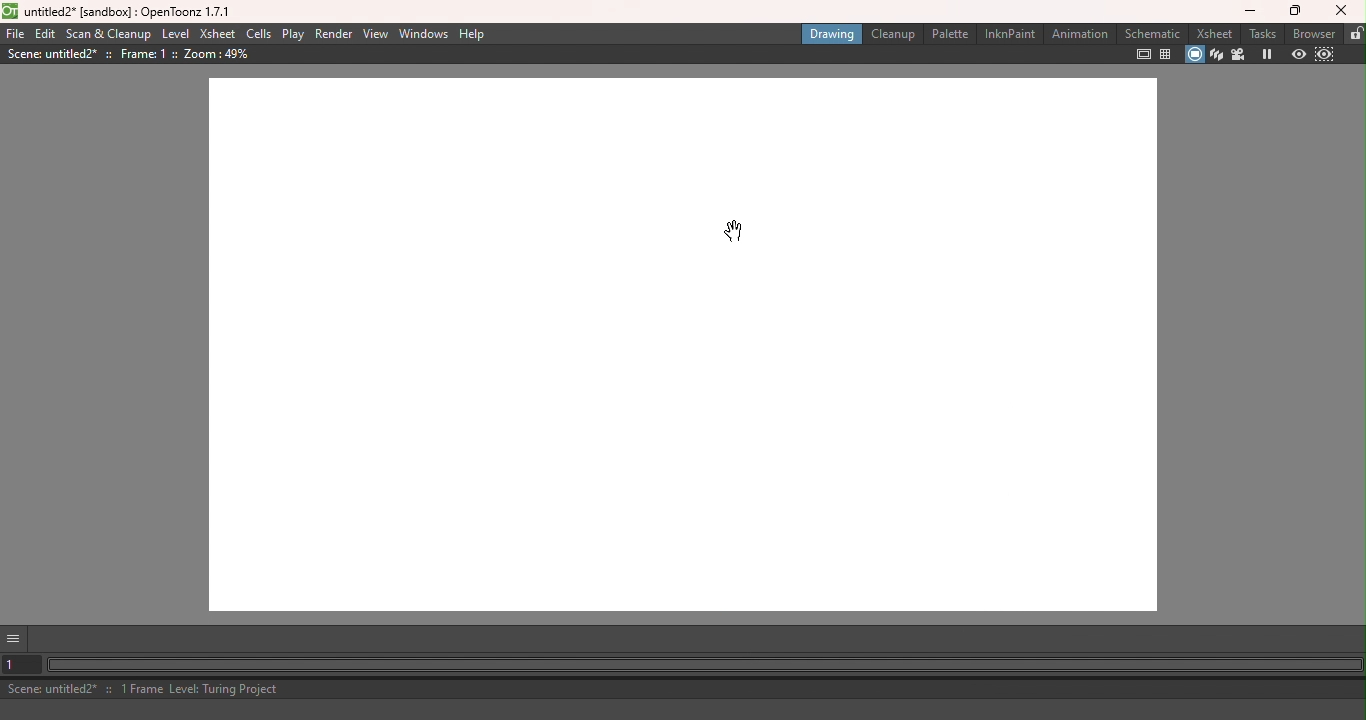 This screenshot has height=720, width=1366. Describe the element at coordinates (474, 35) in the screenshot. I see `Help` at that location.